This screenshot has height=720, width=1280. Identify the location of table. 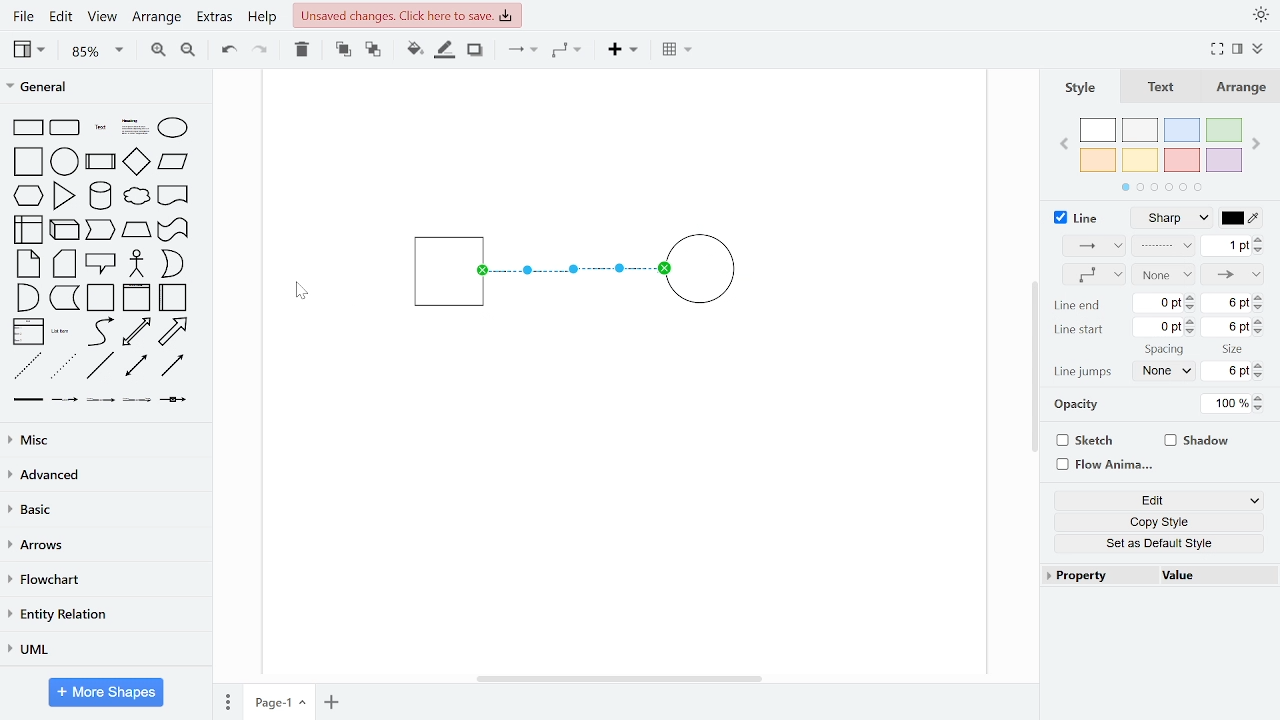
(679, 51).